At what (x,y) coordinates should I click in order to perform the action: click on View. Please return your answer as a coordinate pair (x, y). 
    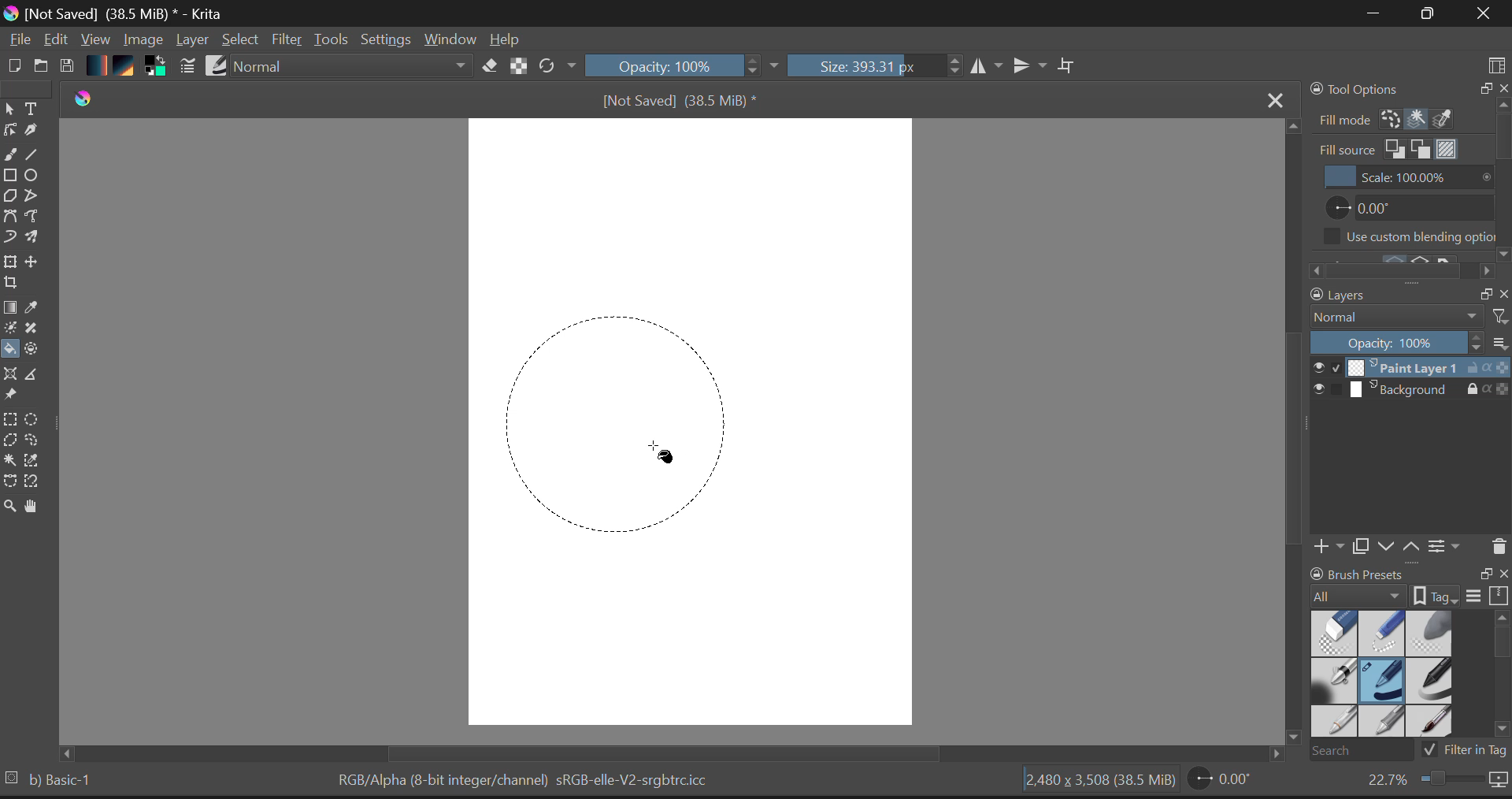
    Looking at the image, I should click on (96, 41).